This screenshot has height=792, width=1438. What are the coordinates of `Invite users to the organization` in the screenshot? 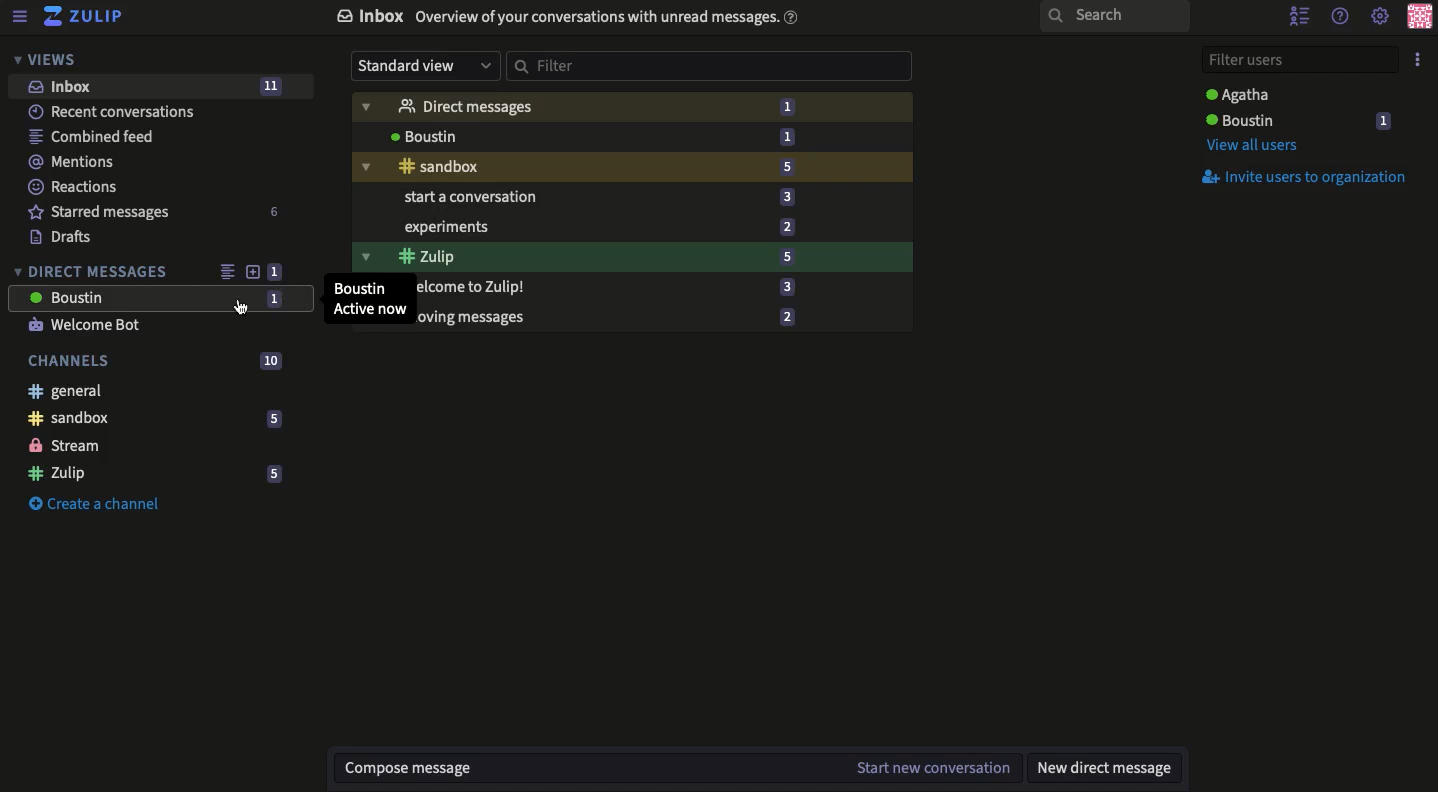 It's located at (1308, 176).